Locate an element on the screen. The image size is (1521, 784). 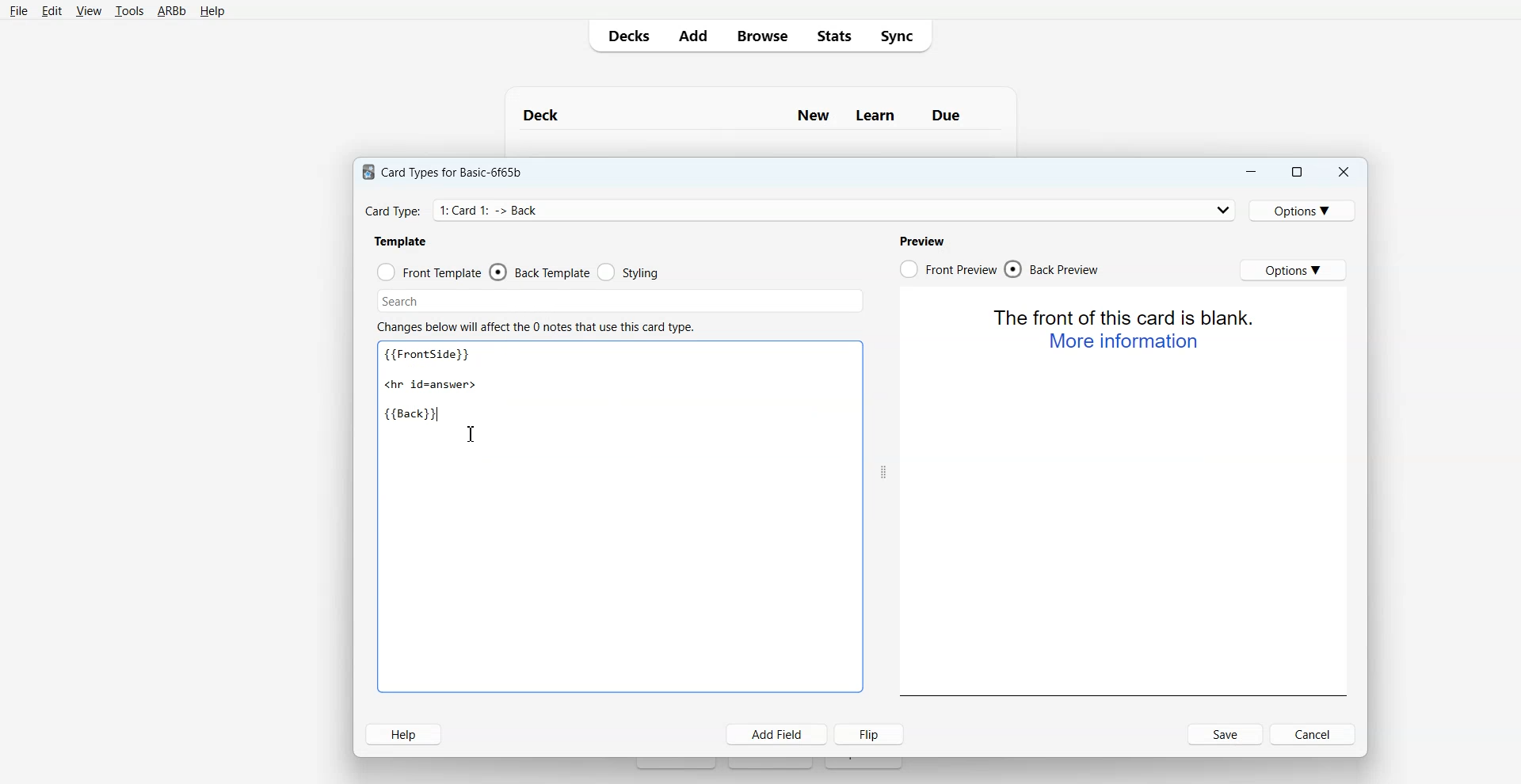
ARBb is located at coordinates (172, 11).